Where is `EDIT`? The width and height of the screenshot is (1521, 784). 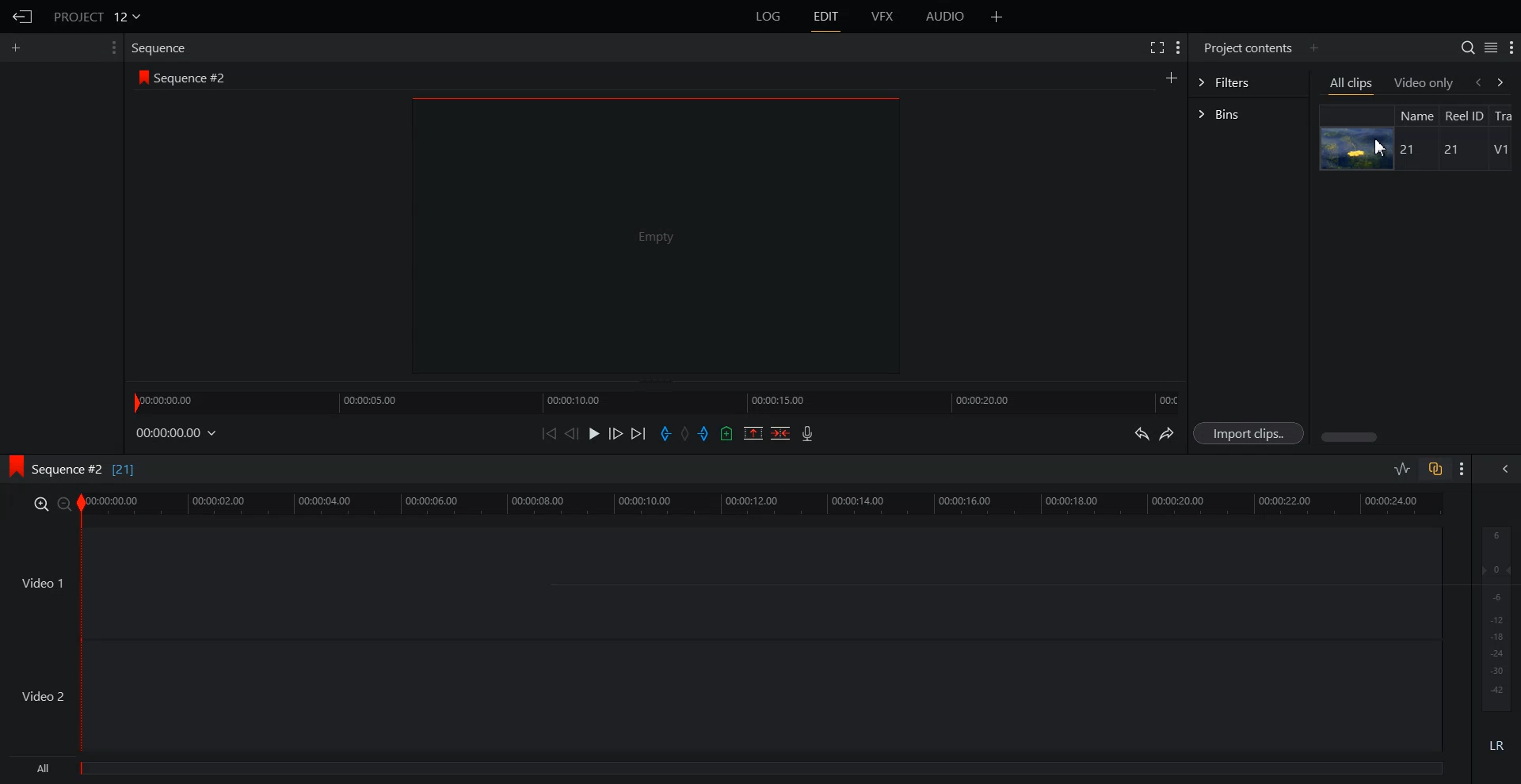 EDIT is located at coordinates (825, 17).